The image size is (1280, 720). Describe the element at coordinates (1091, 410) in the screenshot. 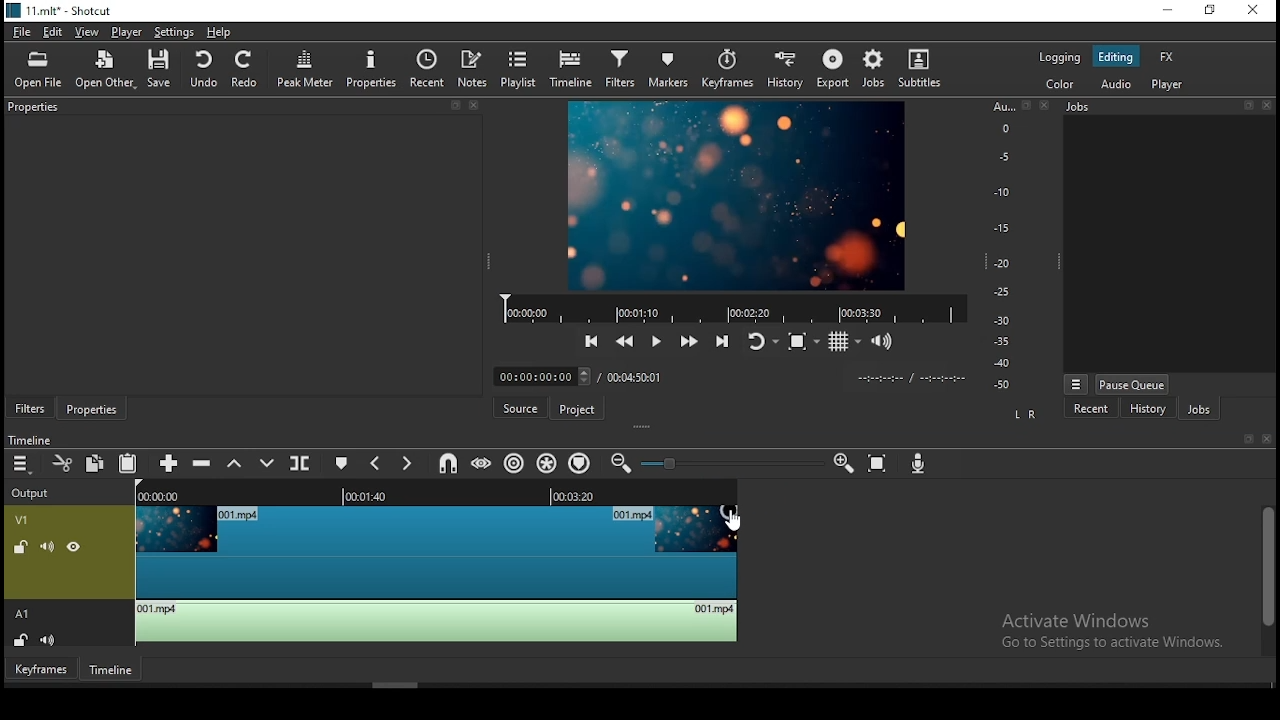

I see `recent` at that location.